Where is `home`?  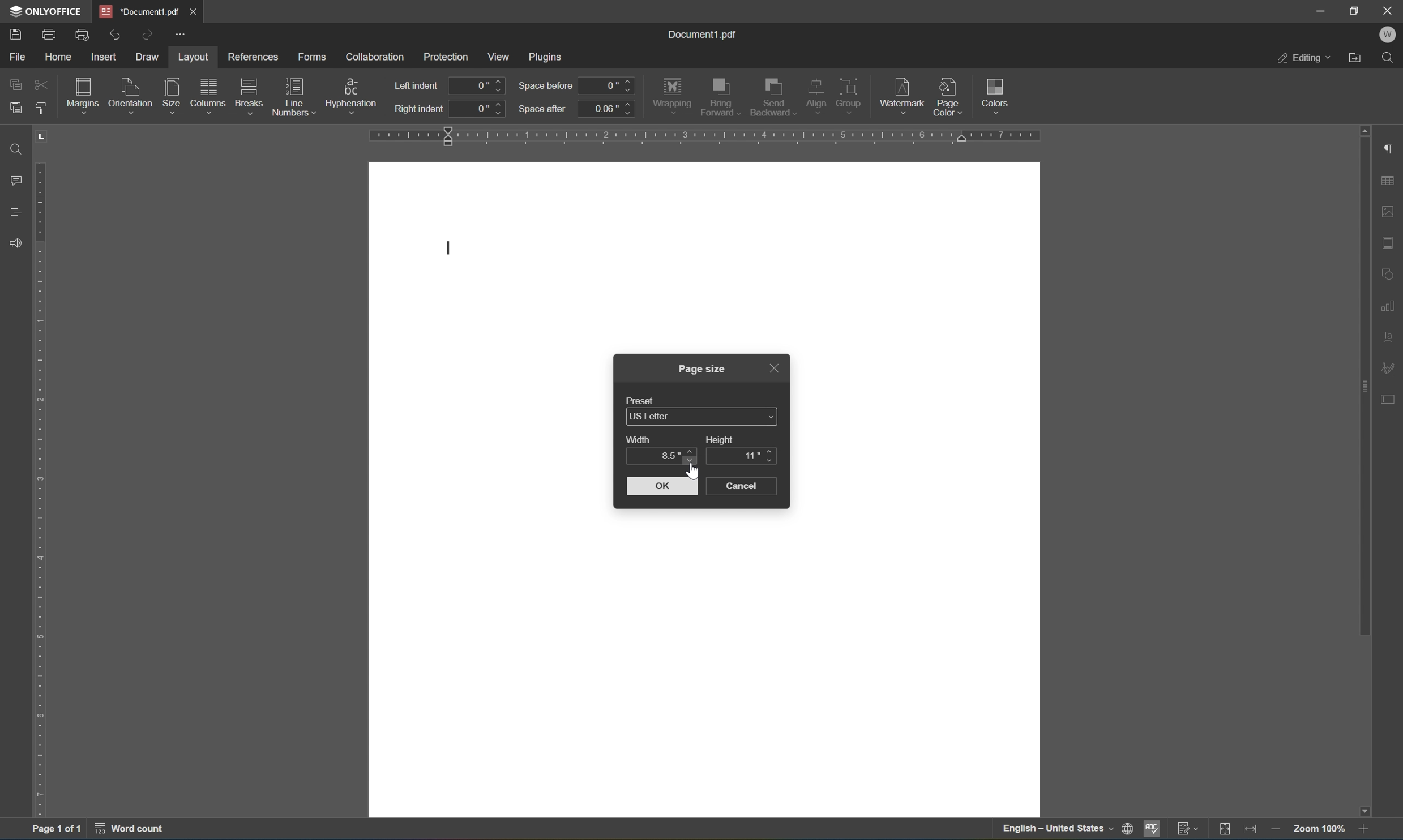 home is located at coordinates (56, 56).